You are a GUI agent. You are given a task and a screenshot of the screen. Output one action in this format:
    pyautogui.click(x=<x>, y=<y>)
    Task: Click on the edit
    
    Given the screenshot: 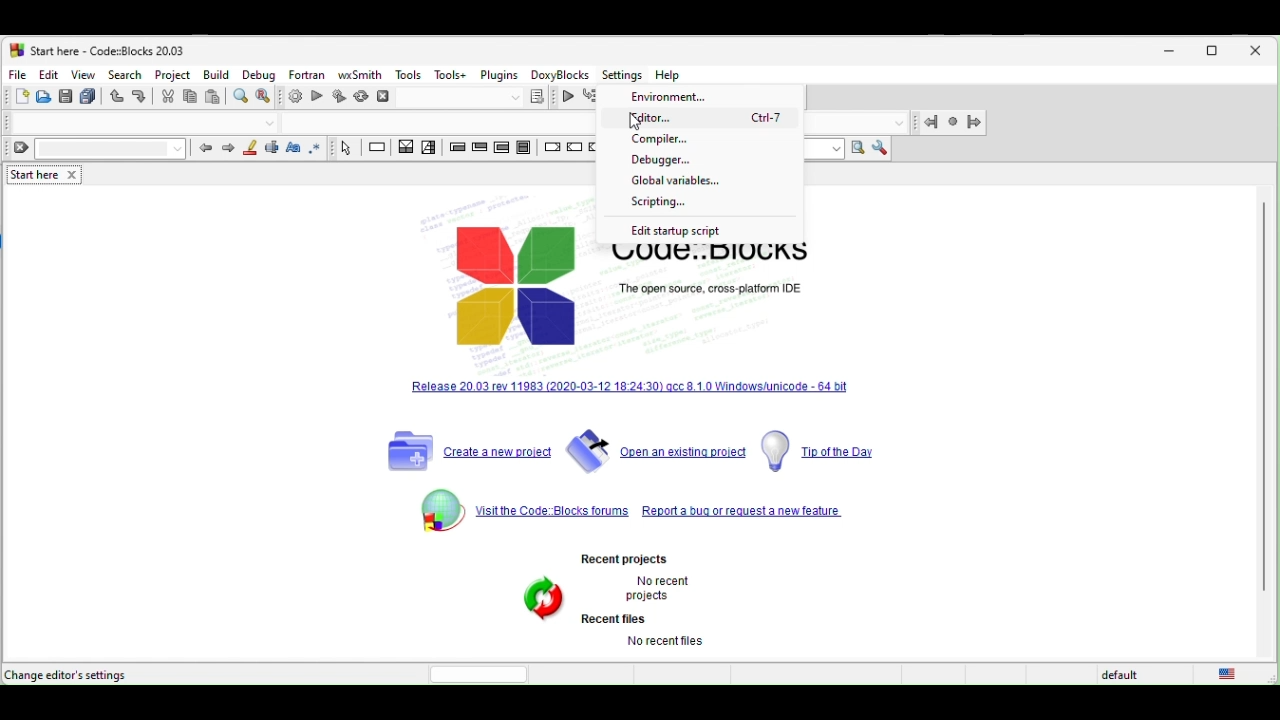 What is the action you would take?
    pyautogui.click(x=48, y=74)
    